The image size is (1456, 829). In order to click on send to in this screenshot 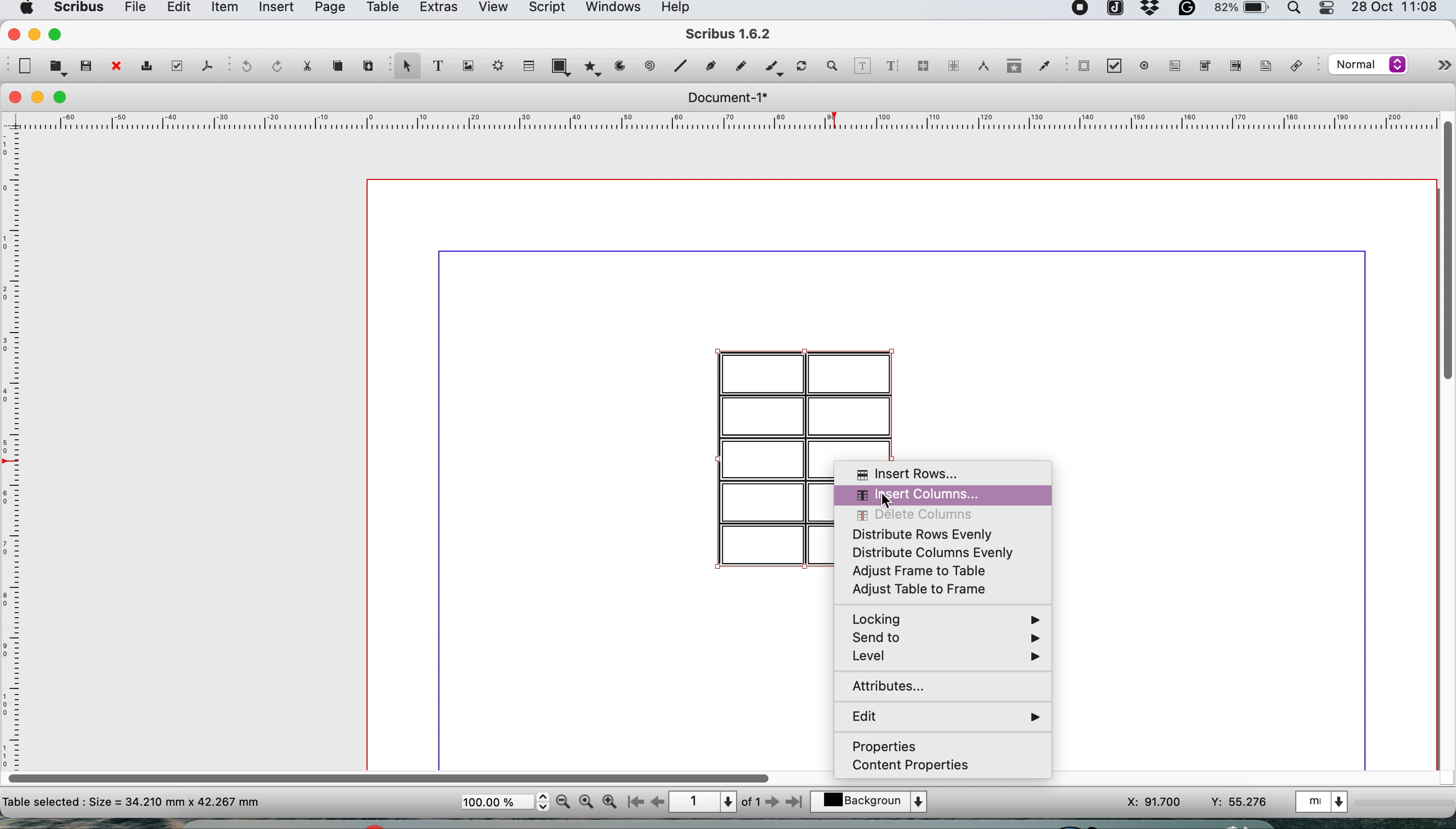, I will do `click(944, 639)`.